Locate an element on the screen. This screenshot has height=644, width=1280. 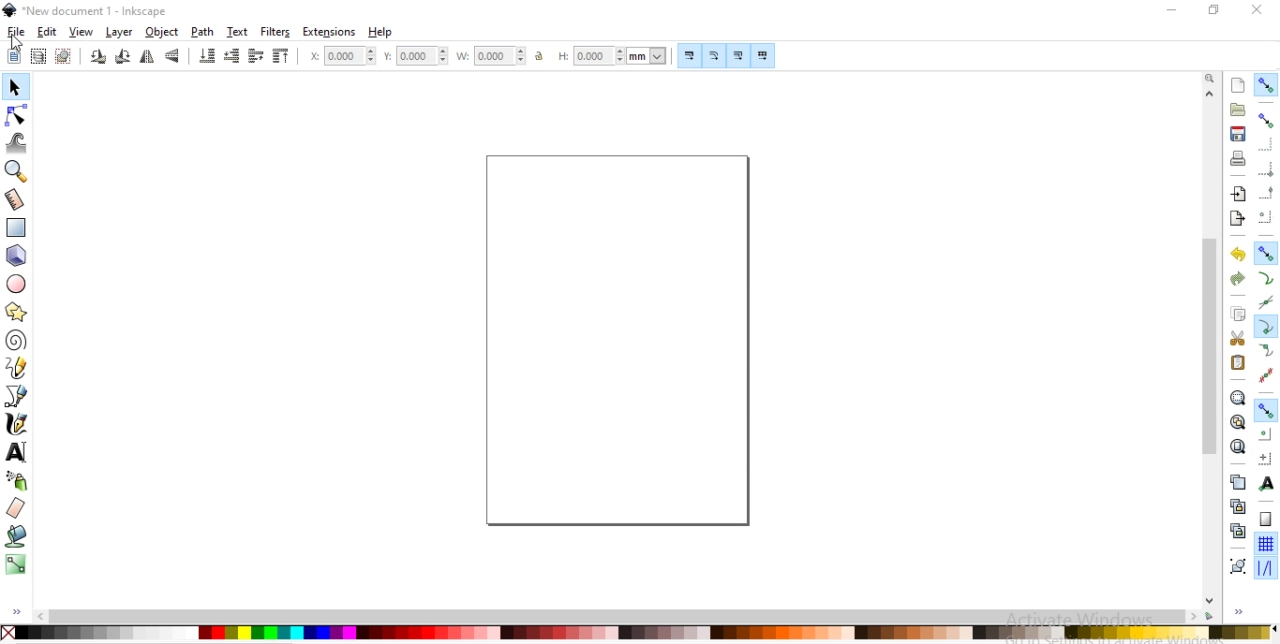
file is located at coordinates (16, 32).